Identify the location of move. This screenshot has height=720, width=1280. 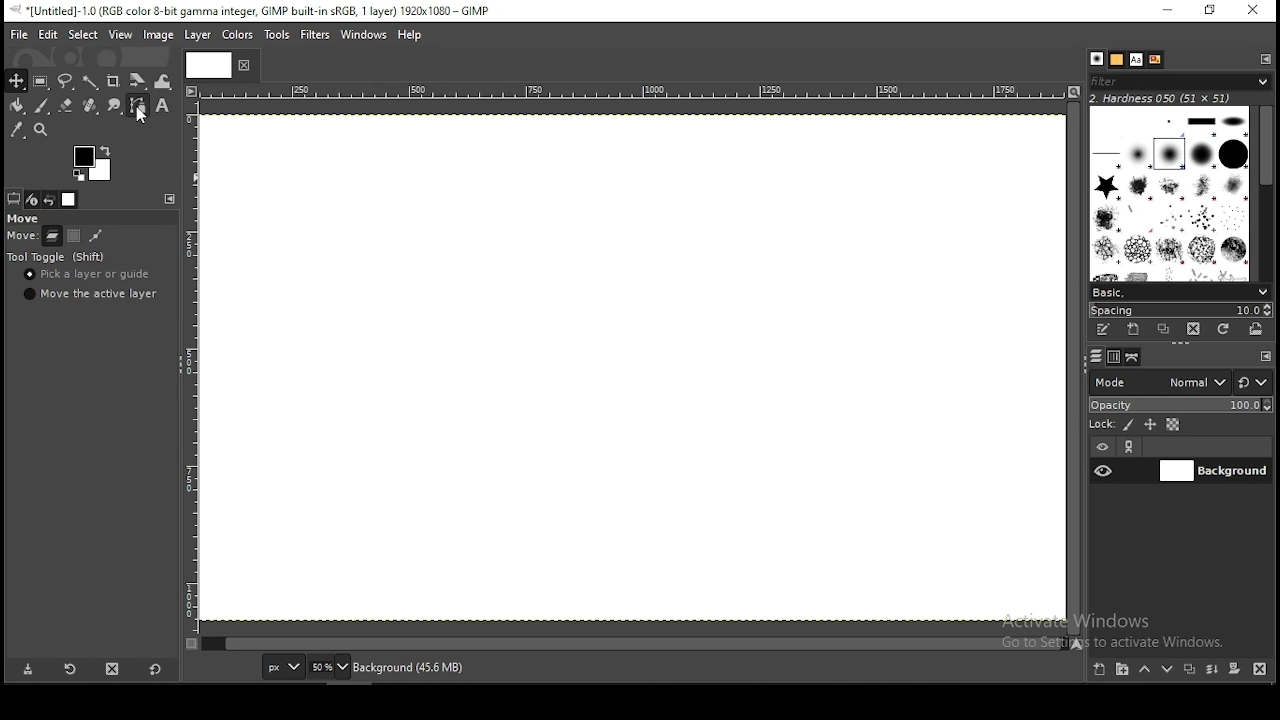
(22, 233).